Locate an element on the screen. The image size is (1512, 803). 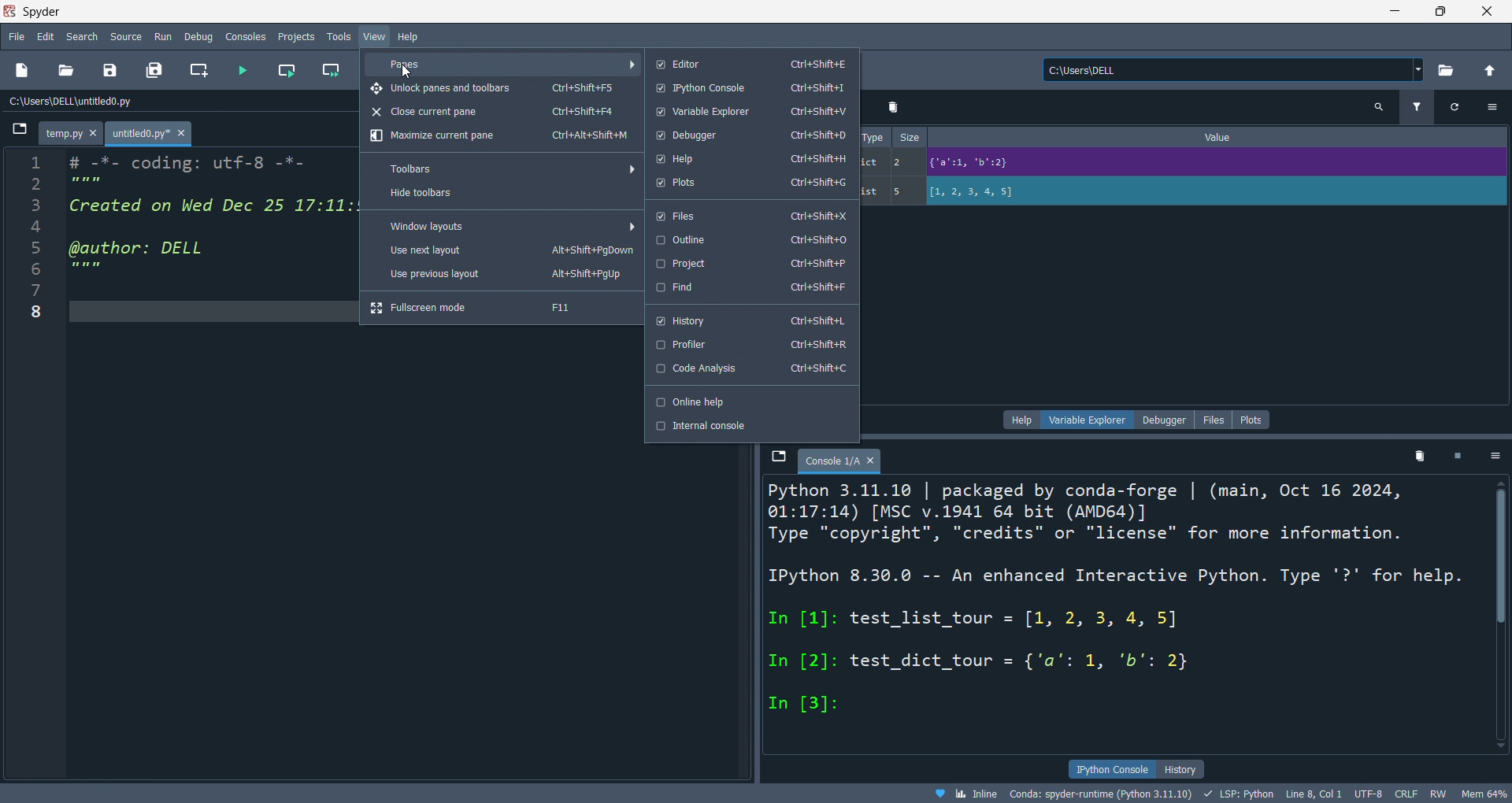
browse tabs is located at coordinates (18, 133).